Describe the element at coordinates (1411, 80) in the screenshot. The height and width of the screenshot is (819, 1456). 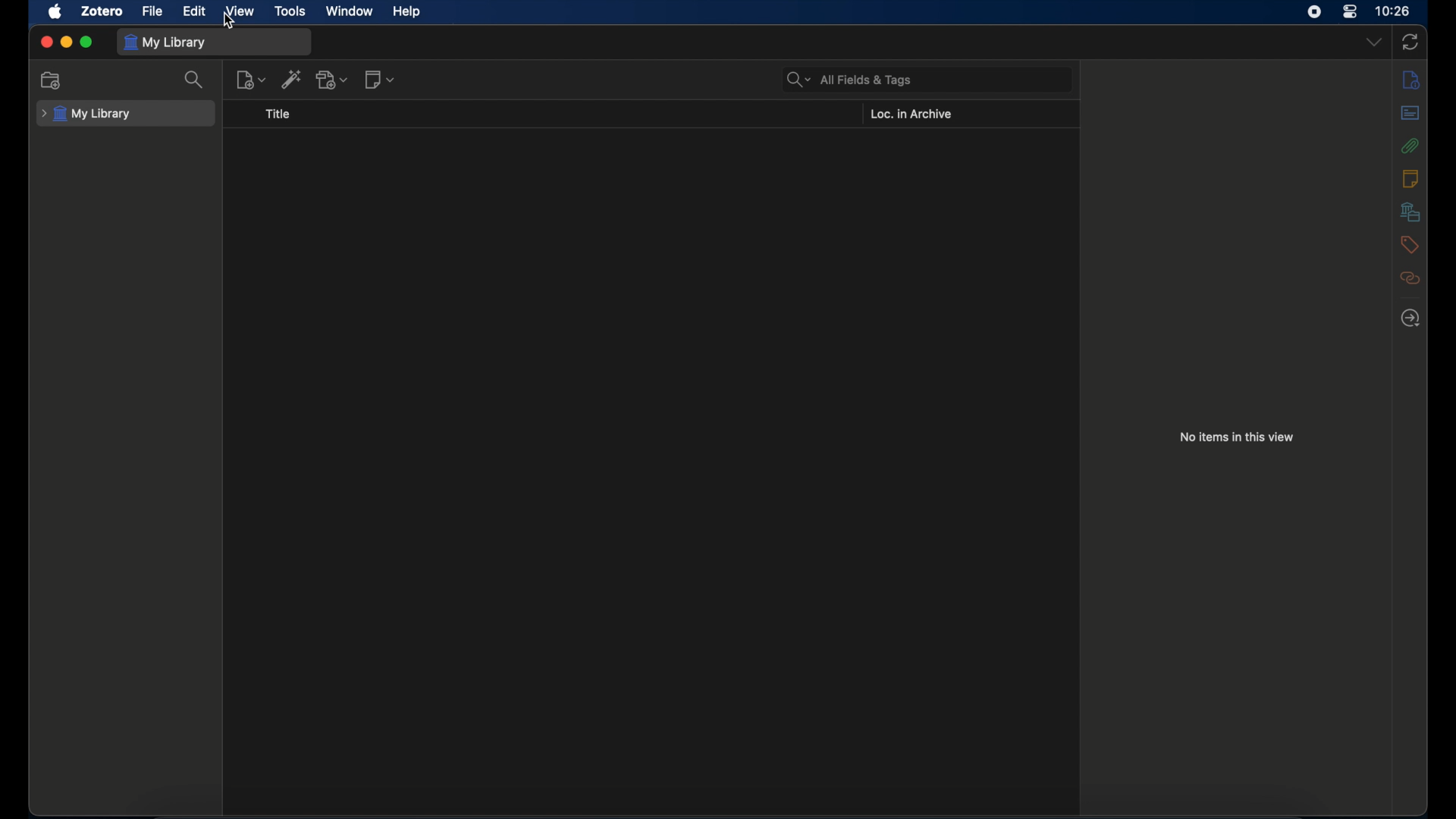
I see `notes` at that location.